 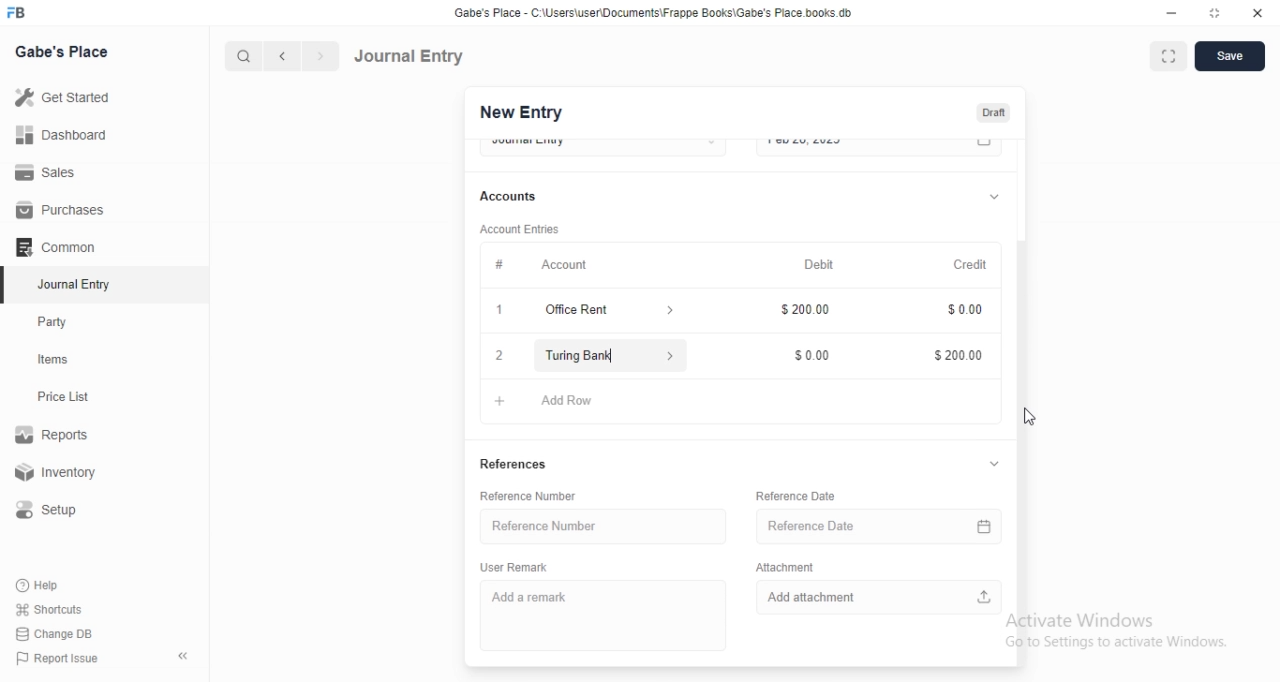 What do you see at coordinates (498, 307) in the screenshot?
I see `1` at bounding box center [498, 307].